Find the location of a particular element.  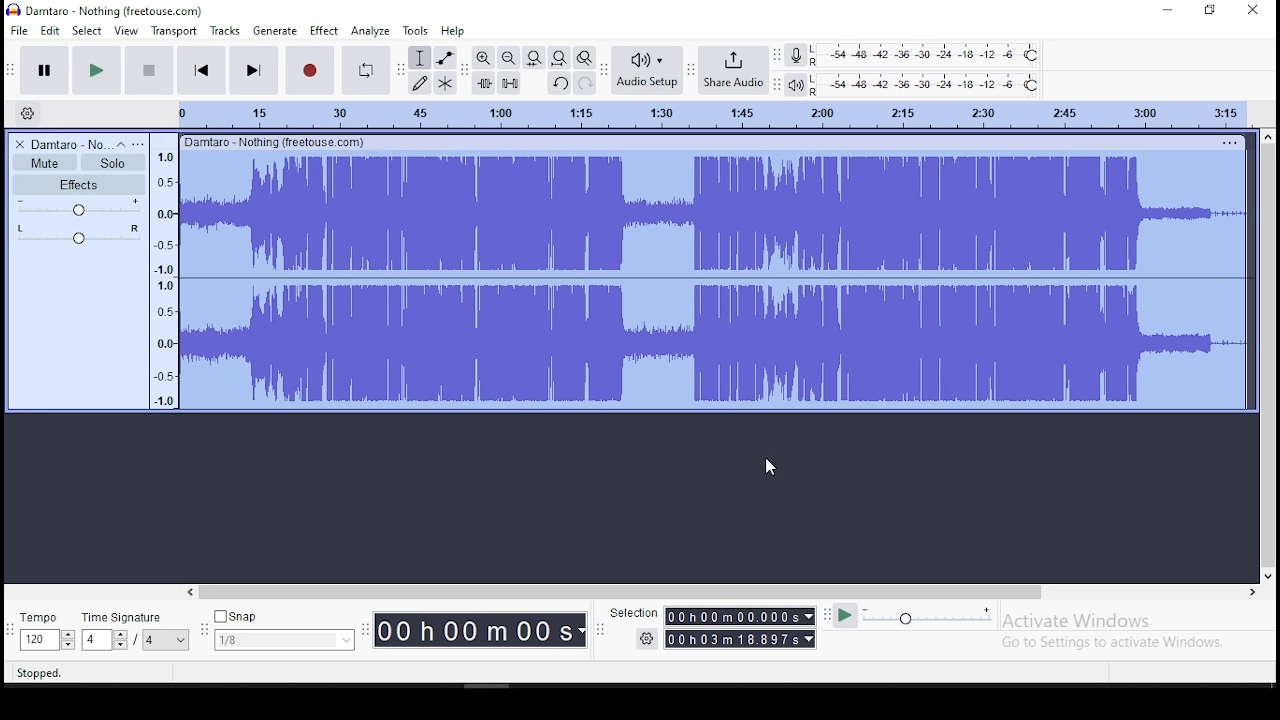

fit file to width is located at coordinates (534, 57).